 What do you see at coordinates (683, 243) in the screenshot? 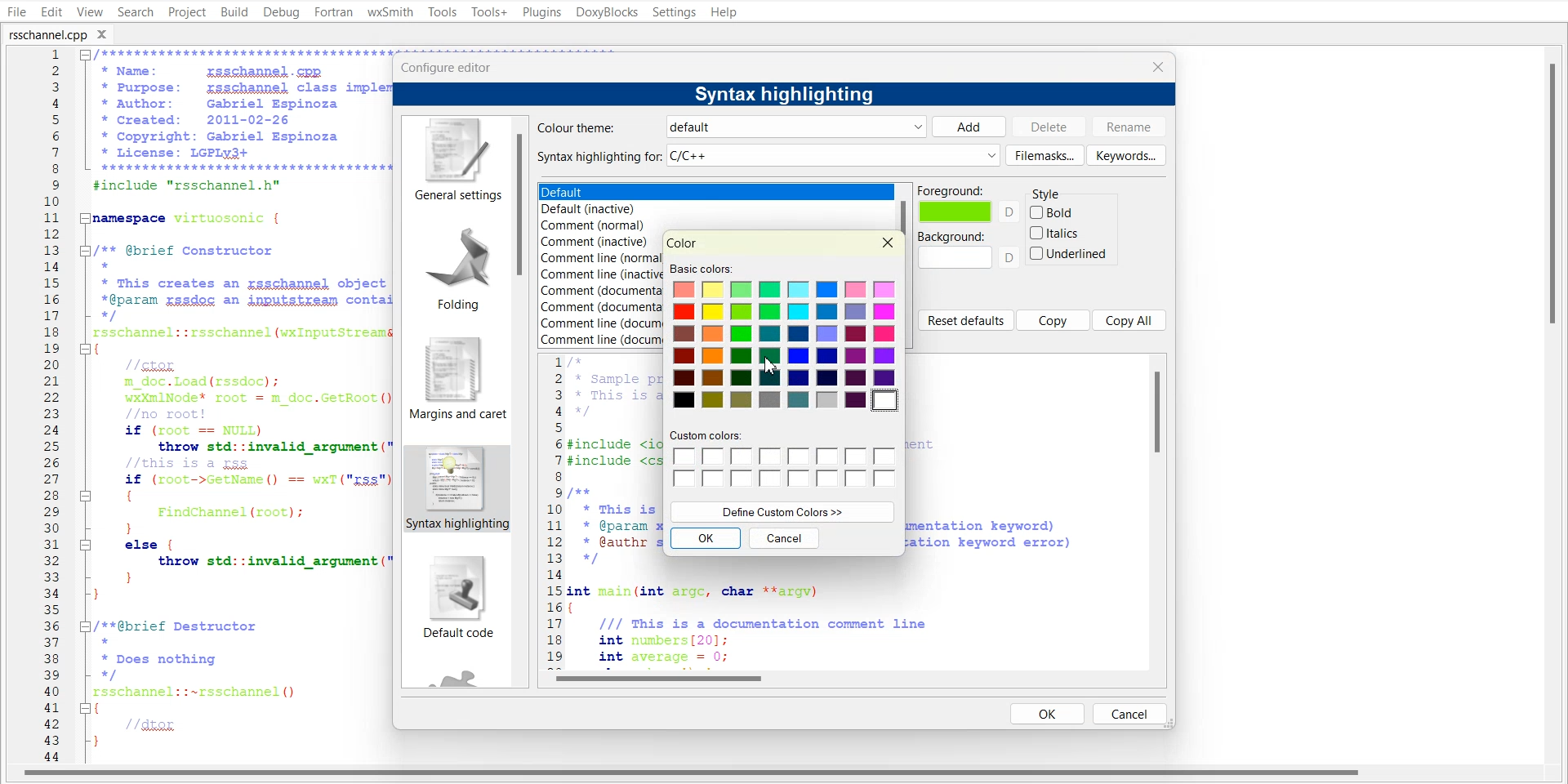
I see `Color` at bounding box center [683, 243].